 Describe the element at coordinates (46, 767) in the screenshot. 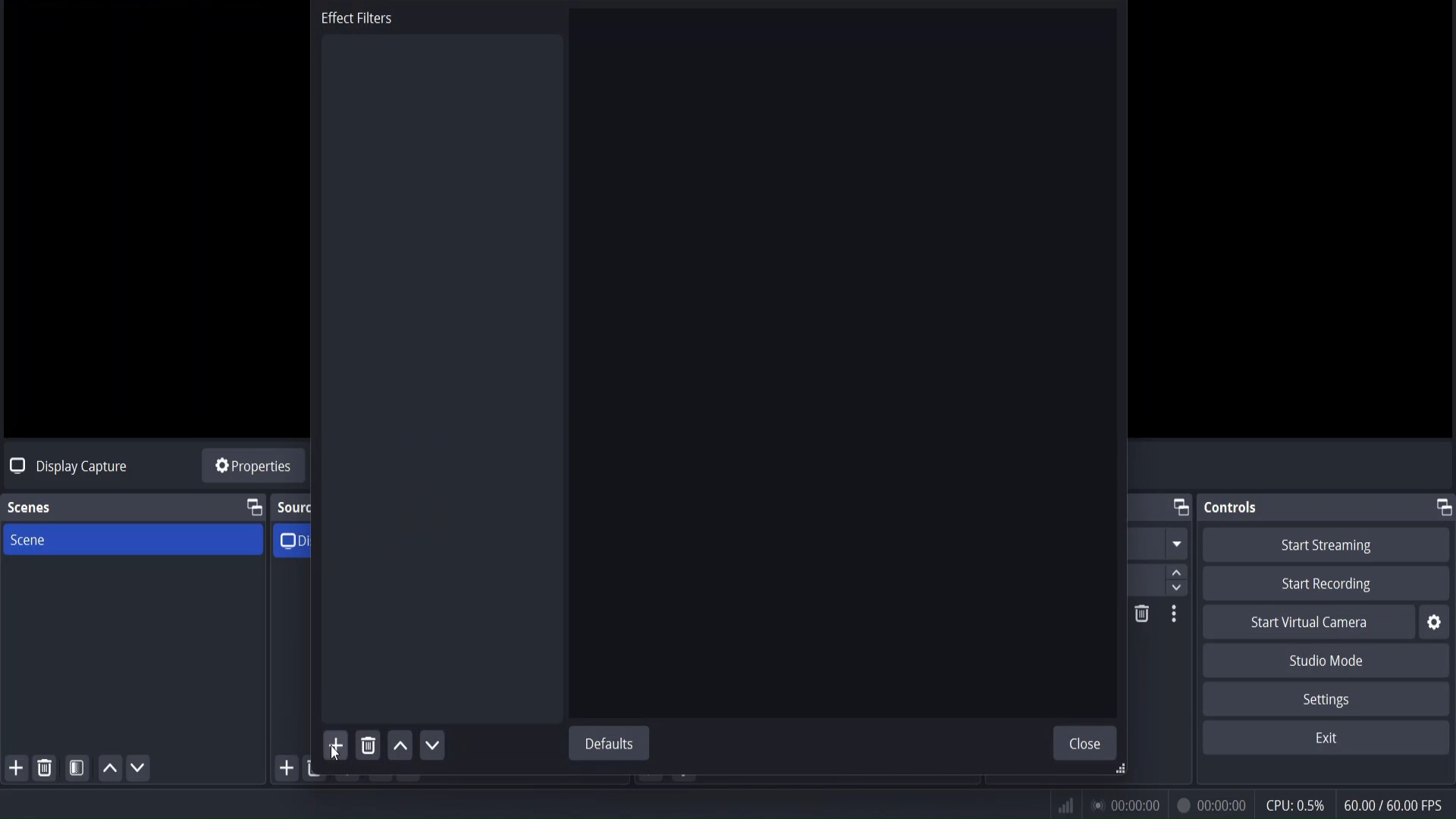

I see `remove selected scene` at that location.